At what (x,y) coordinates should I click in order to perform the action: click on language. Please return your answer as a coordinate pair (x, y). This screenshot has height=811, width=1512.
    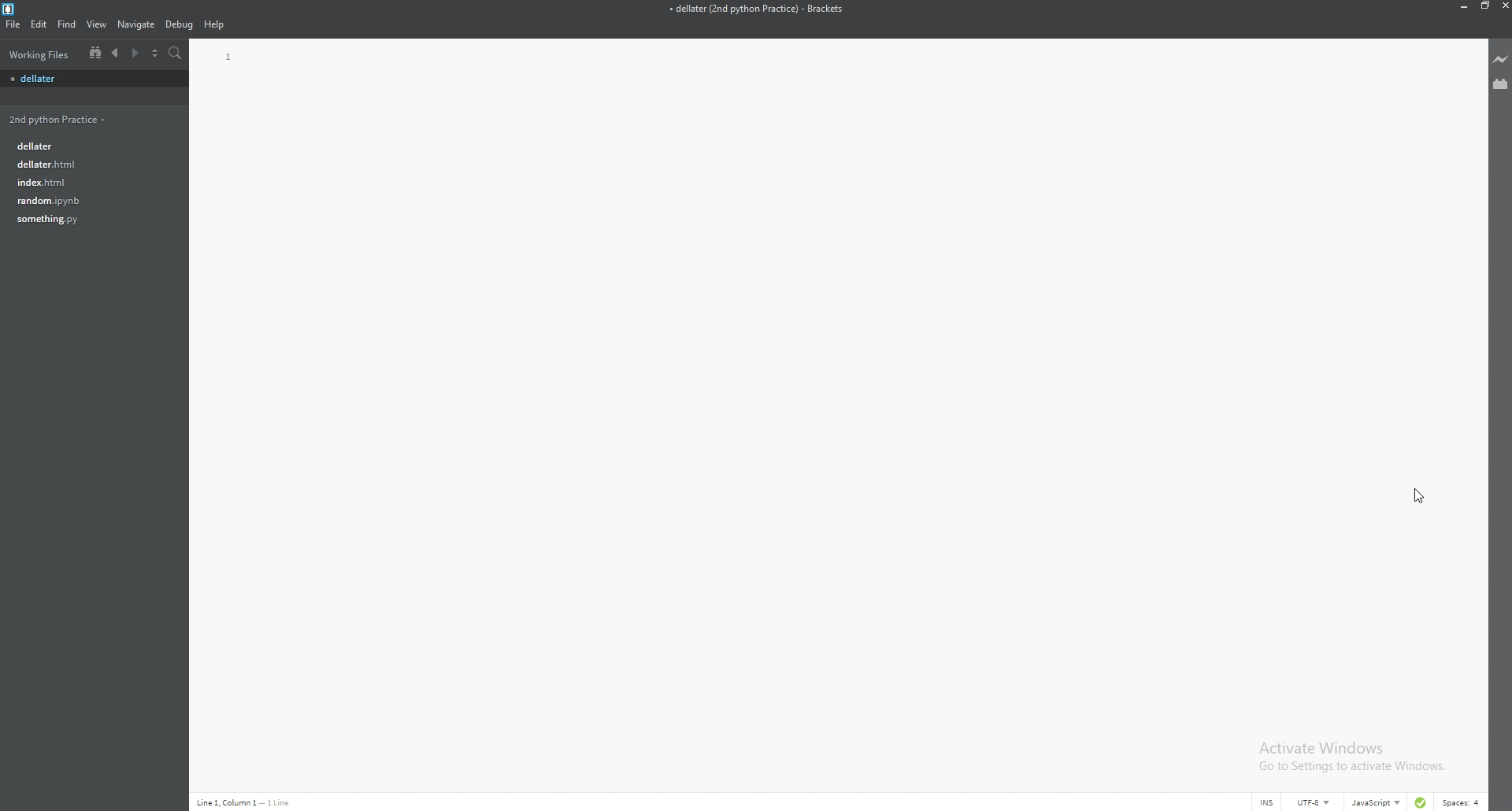
    Looking at the image, I should click on (1378, 802).